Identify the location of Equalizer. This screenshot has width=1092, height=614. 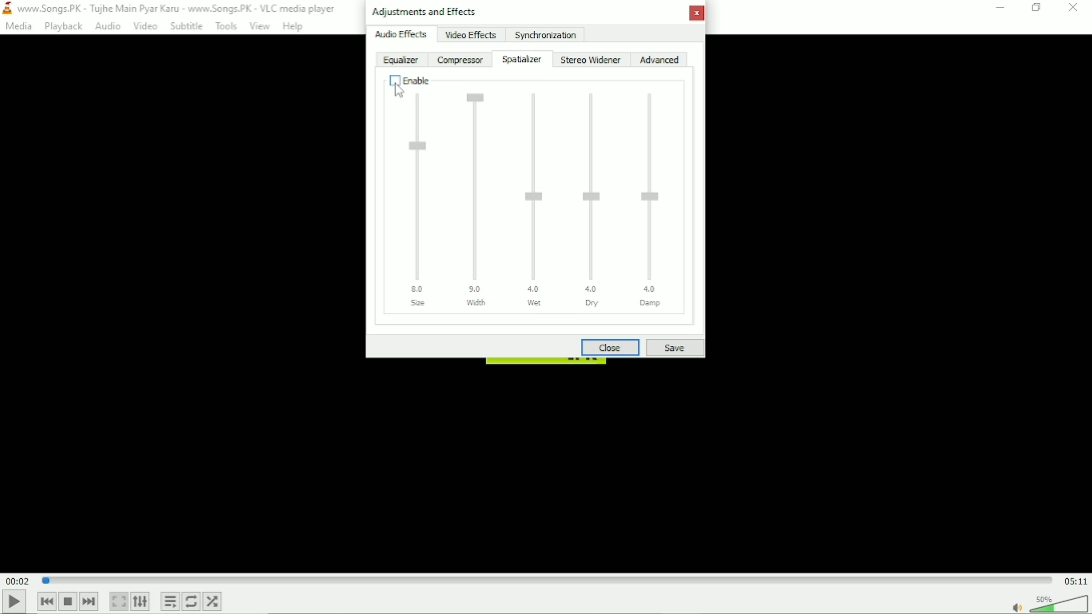
(401, 60).